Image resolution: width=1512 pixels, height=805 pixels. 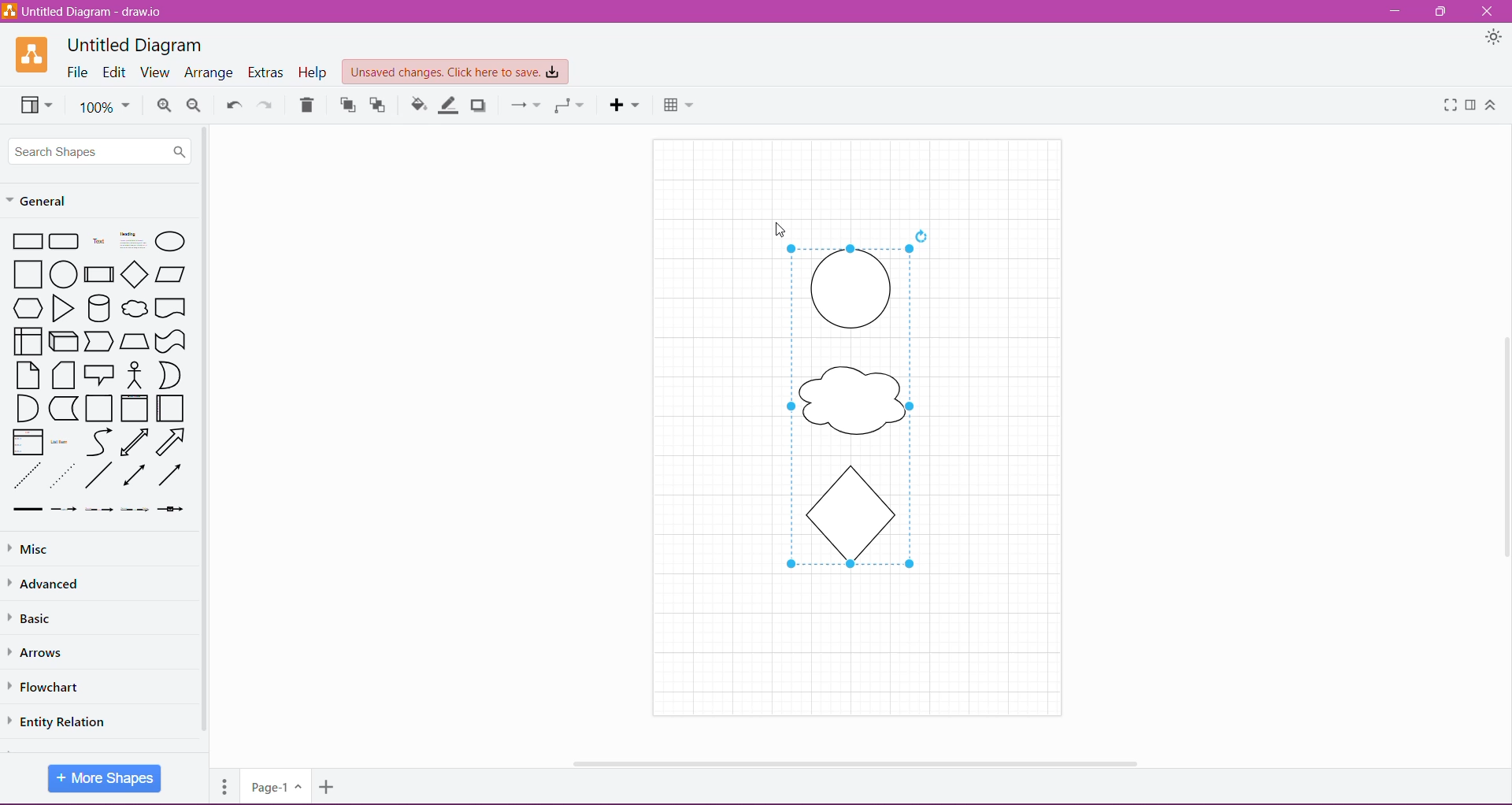 I want to click on Format, so click(x=1471, y=105).